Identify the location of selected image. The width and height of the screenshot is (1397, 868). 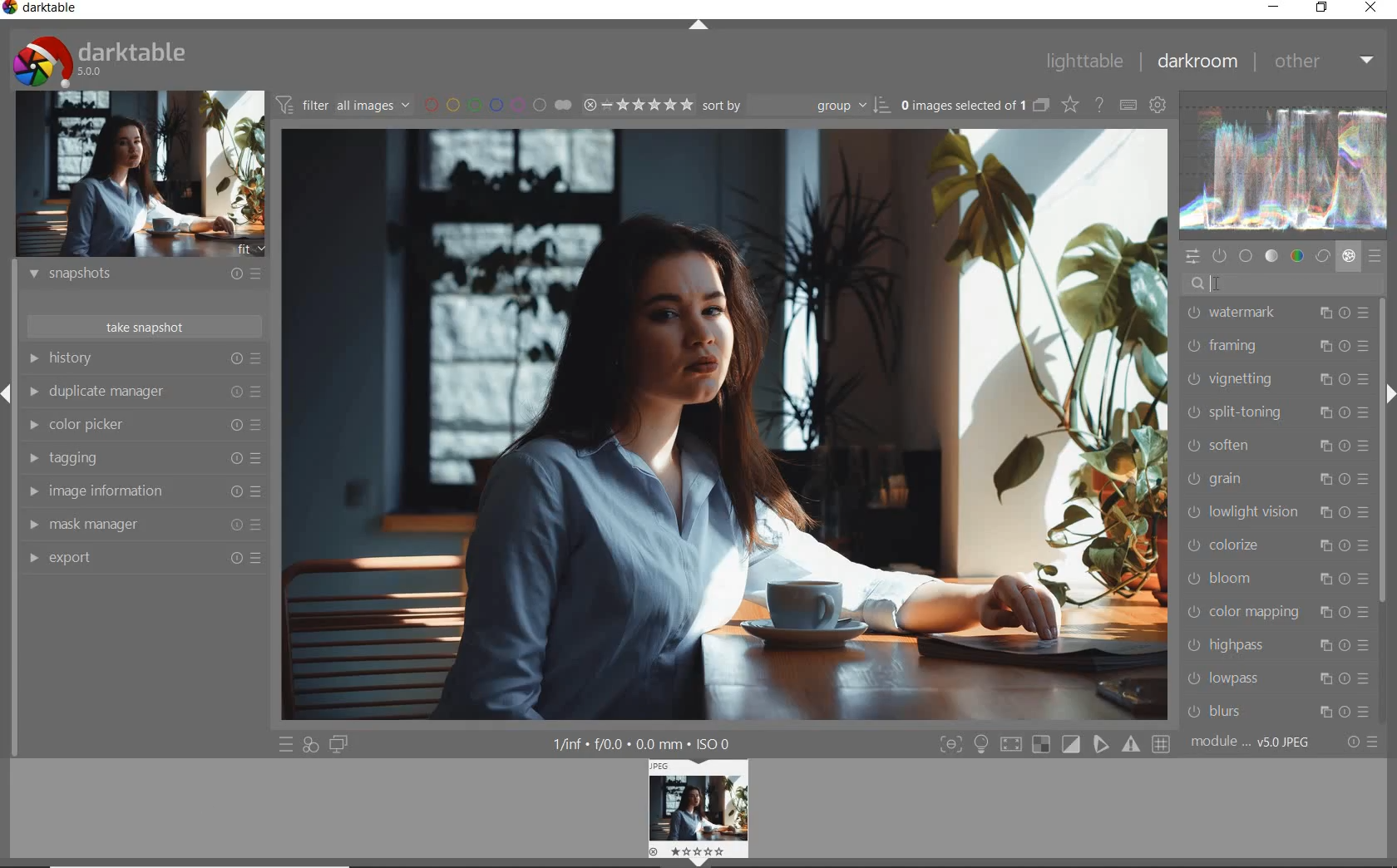
(725, 421).